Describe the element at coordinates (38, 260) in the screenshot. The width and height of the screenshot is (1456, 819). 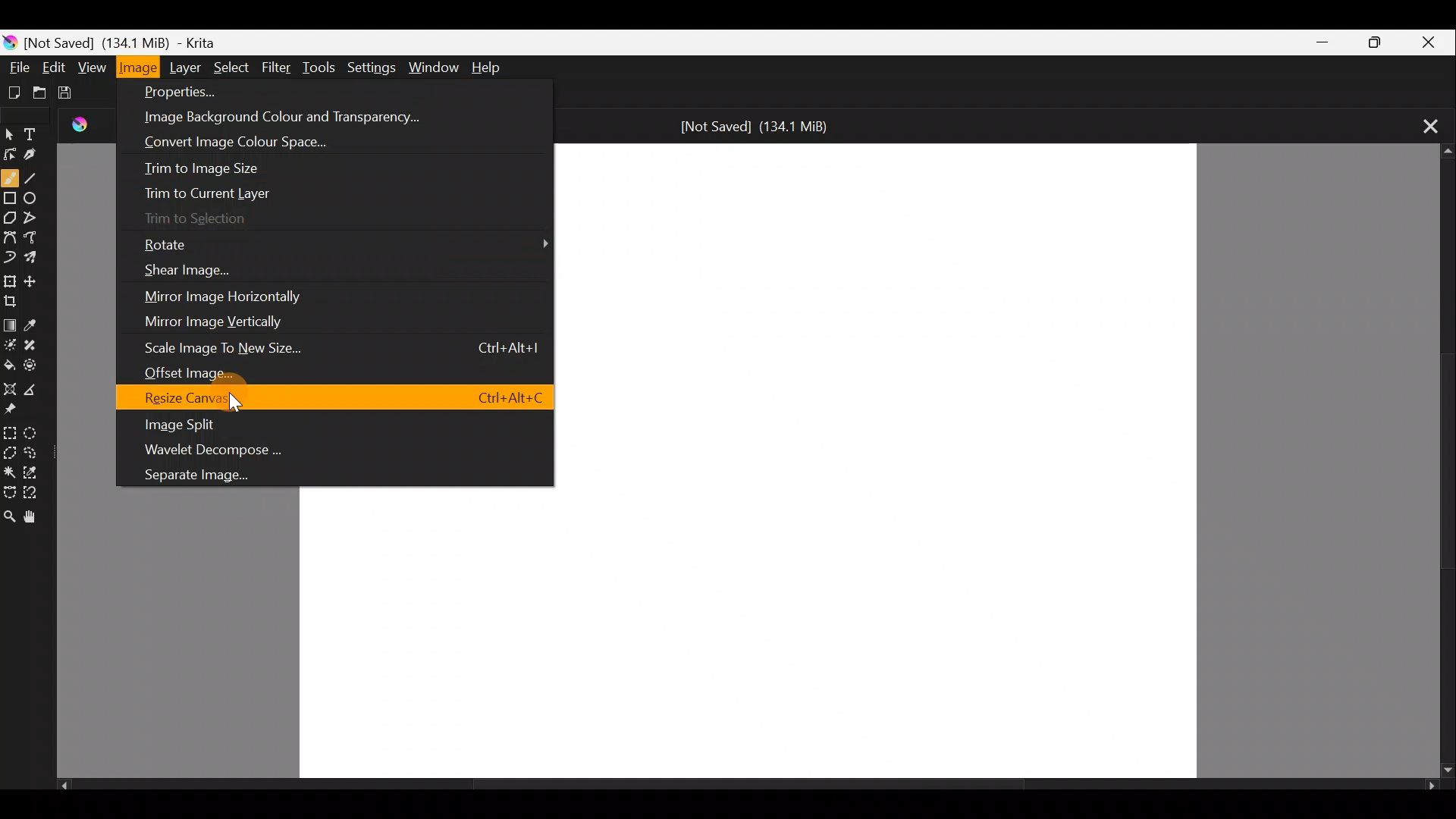
I see `Multibrush tool` at that location.